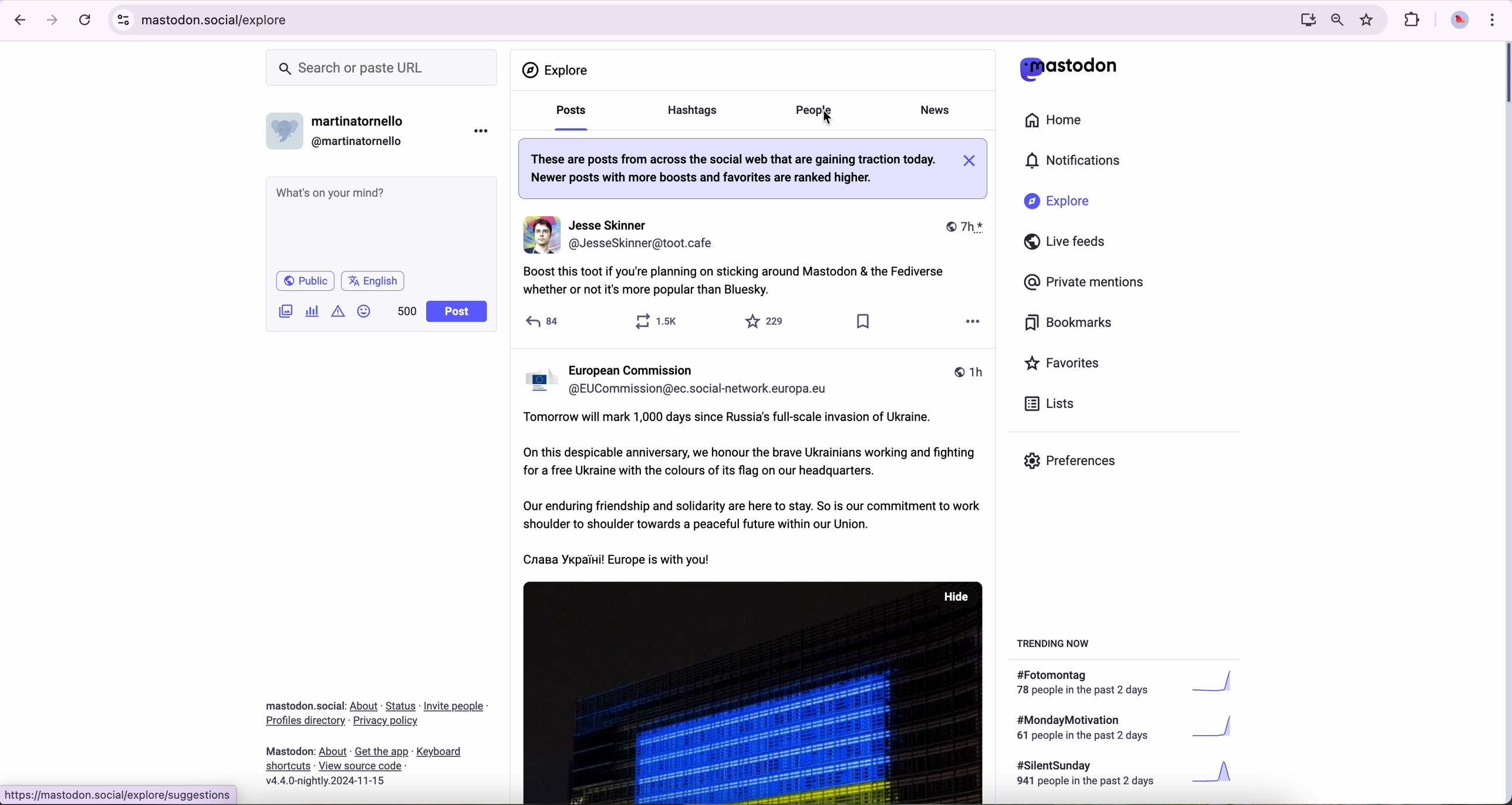 Image resolution: width=1512 pixels, height=805 pixels. Describe the element at coordinates (373, 280) in the screenshot. I see `language` at that location.